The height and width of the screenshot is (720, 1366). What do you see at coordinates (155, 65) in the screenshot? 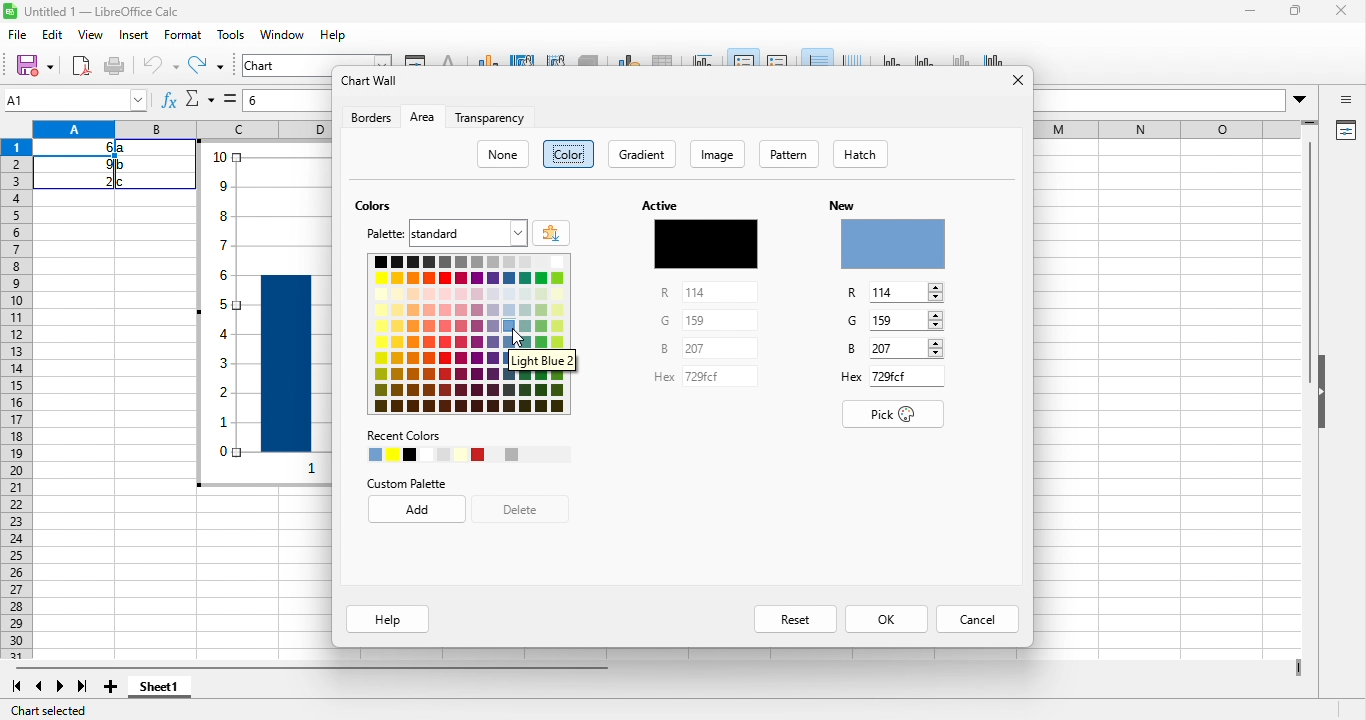
I see `undo` at bounding box center [155, 65].